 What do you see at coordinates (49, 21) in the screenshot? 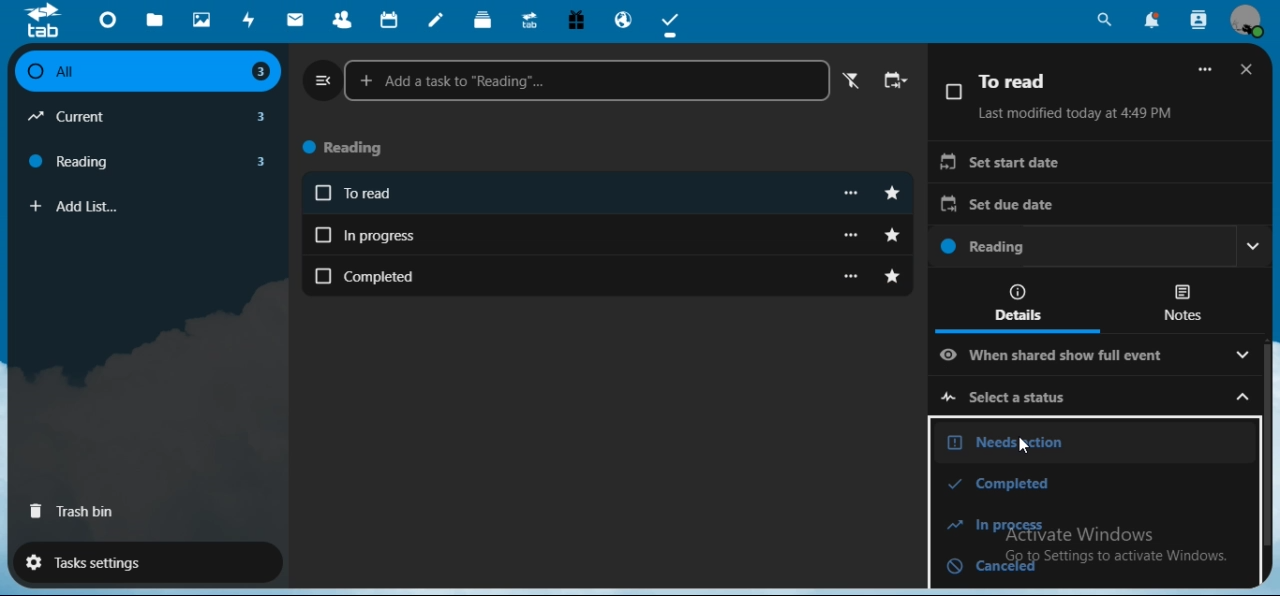
I see `icon` at bounding box center [49, 21].